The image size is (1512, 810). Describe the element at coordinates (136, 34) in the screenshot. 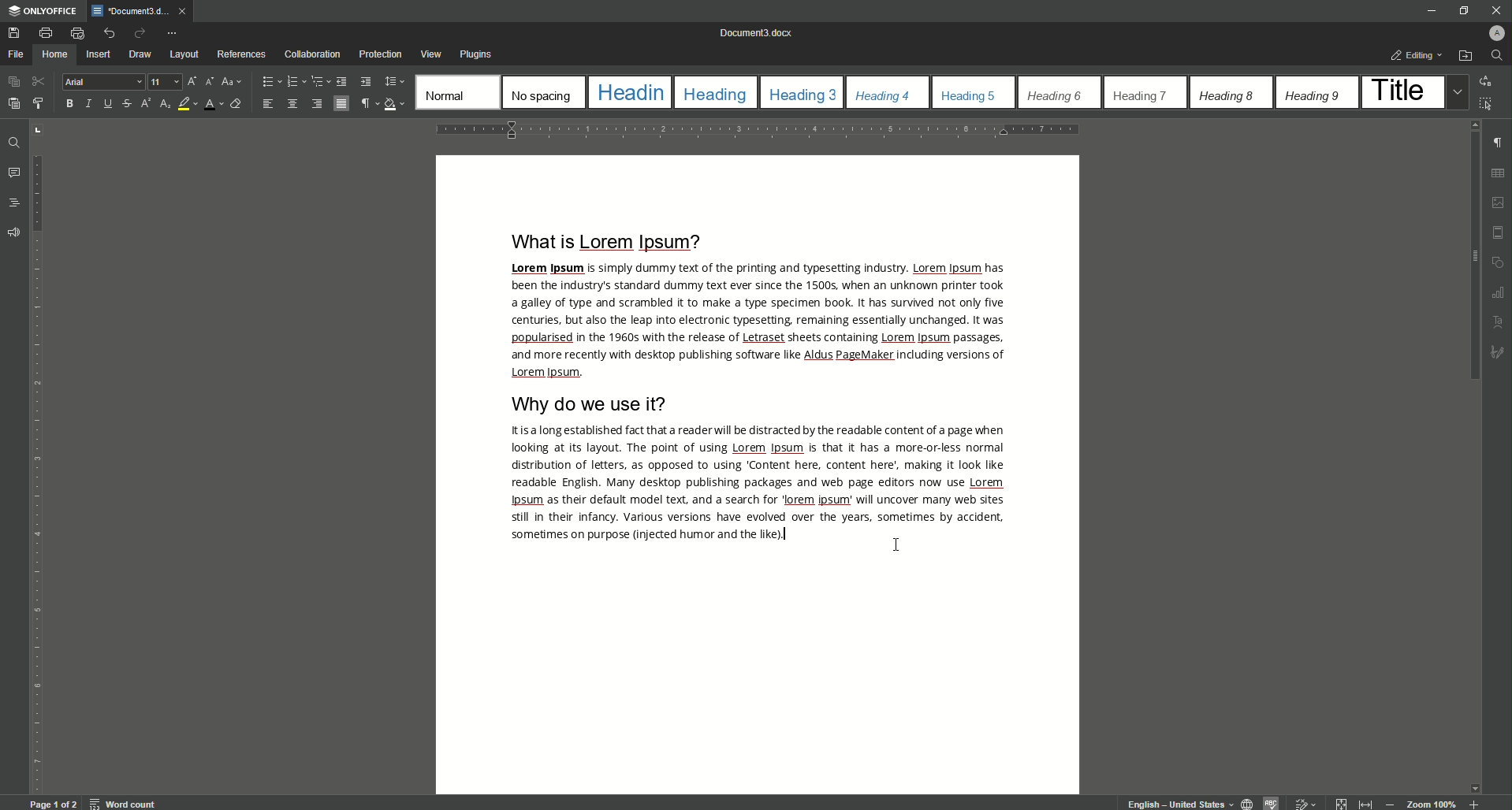

I see `Redo` at that location.